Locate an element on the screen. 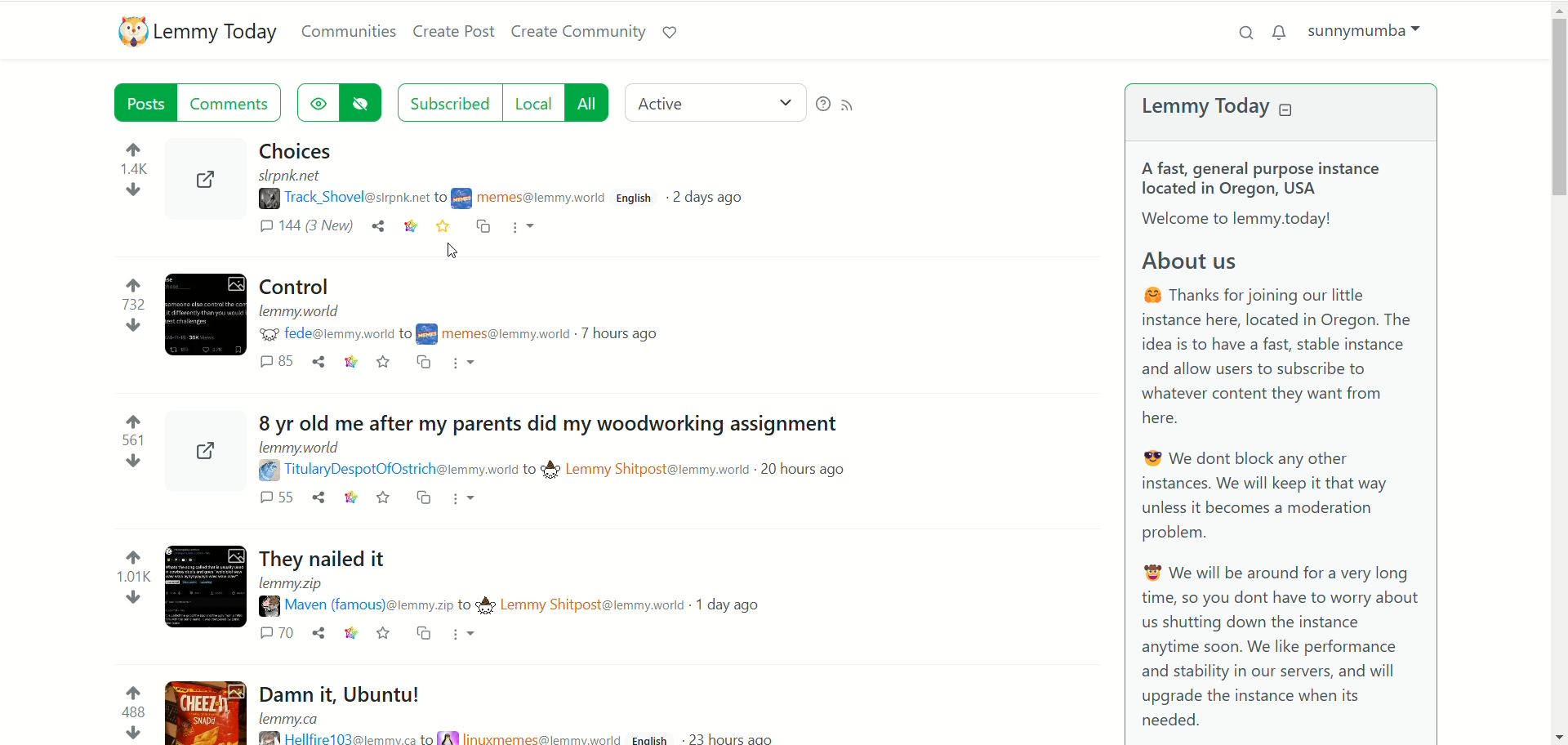  show hidden post is located at coordinates (318, 104).